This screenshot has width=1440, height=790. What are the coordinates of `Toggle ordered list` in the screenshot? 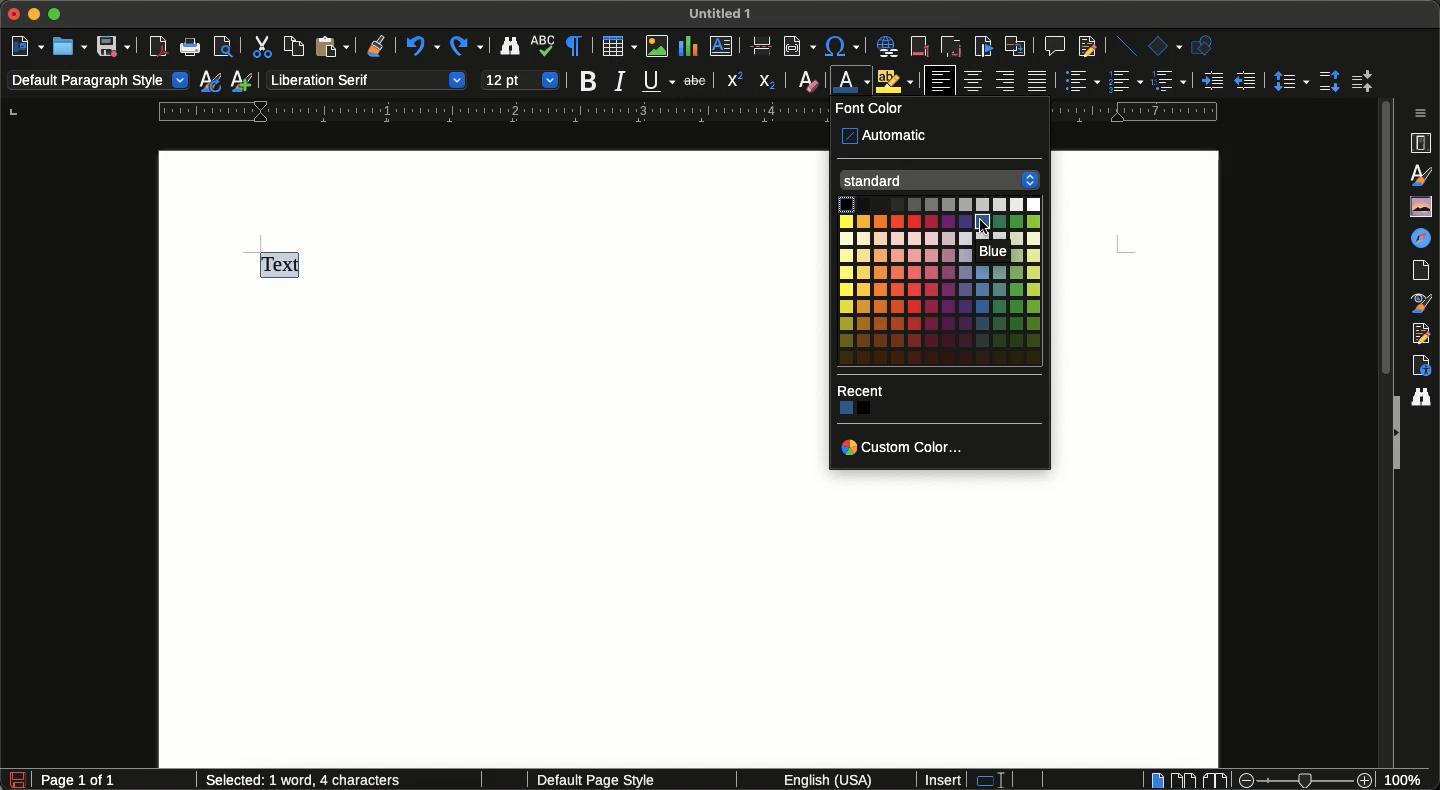 It's located at (1125, 79).